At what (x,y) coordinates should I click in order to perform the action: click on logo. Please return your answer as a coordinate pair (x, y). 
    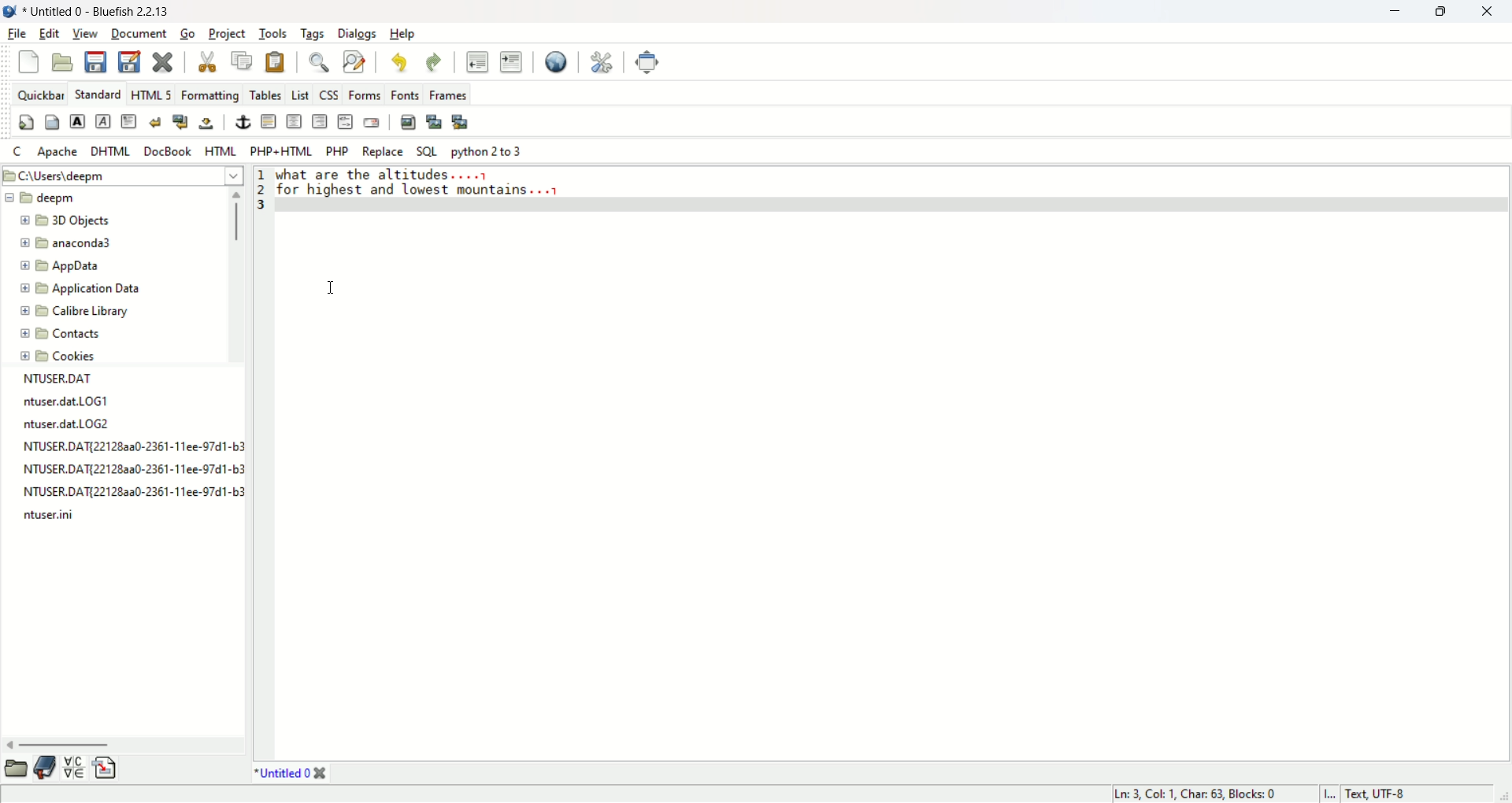
    Looking at the image, I should click on (9, 12).